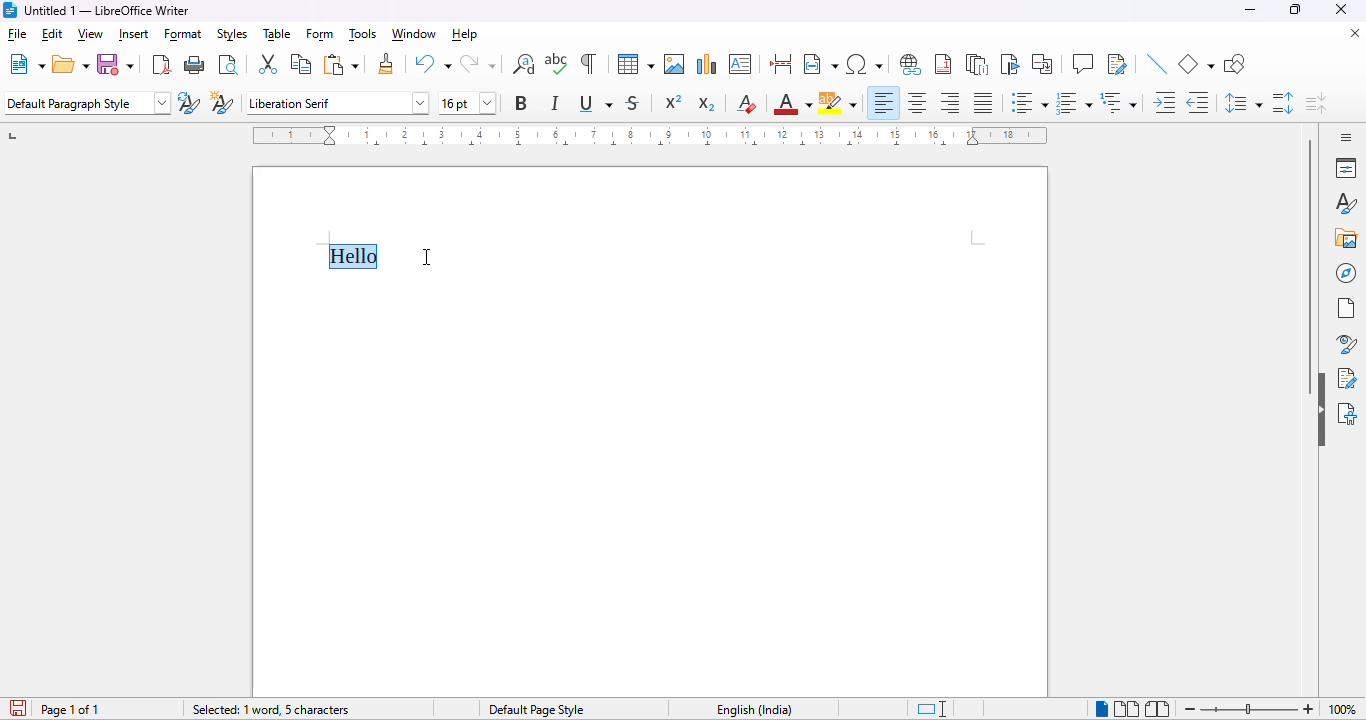  I want to click on insert chart, so click(707, 64).